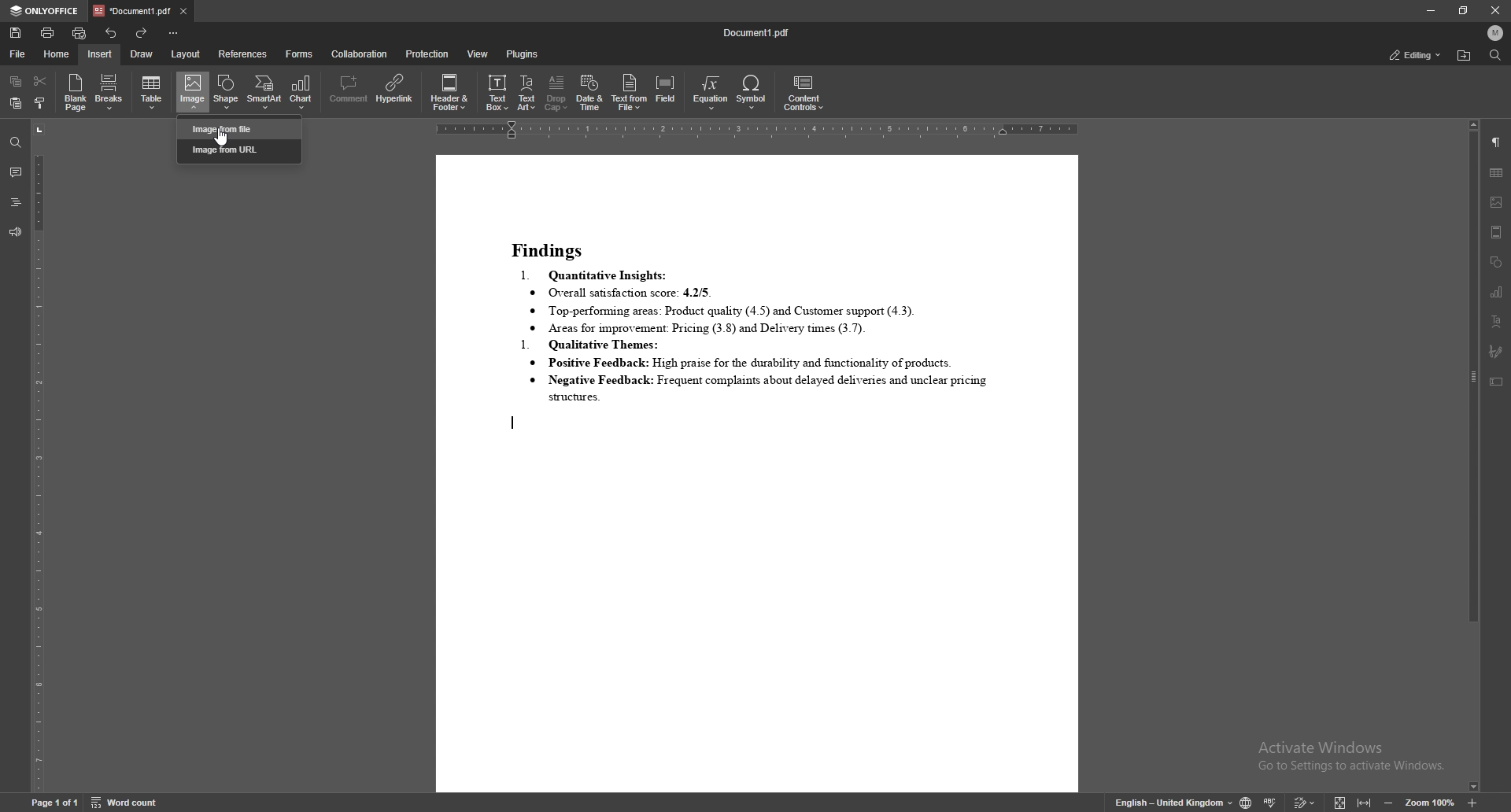 The width and height of the screenshot is (1511, 812). I want to click on fit to width, so click(1365, 802).